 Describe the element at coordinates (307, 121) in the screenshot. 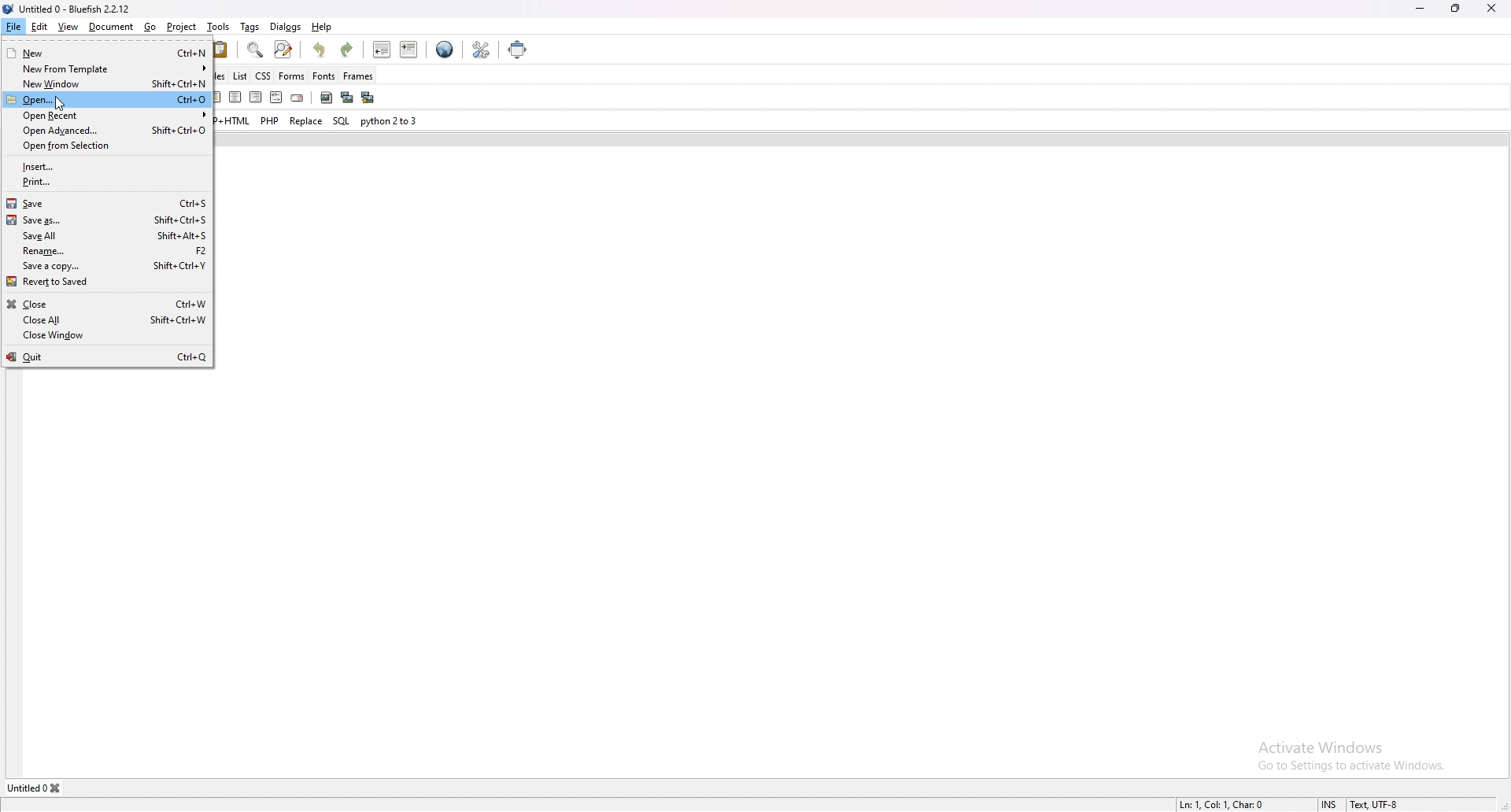

I see `replace` at that location.